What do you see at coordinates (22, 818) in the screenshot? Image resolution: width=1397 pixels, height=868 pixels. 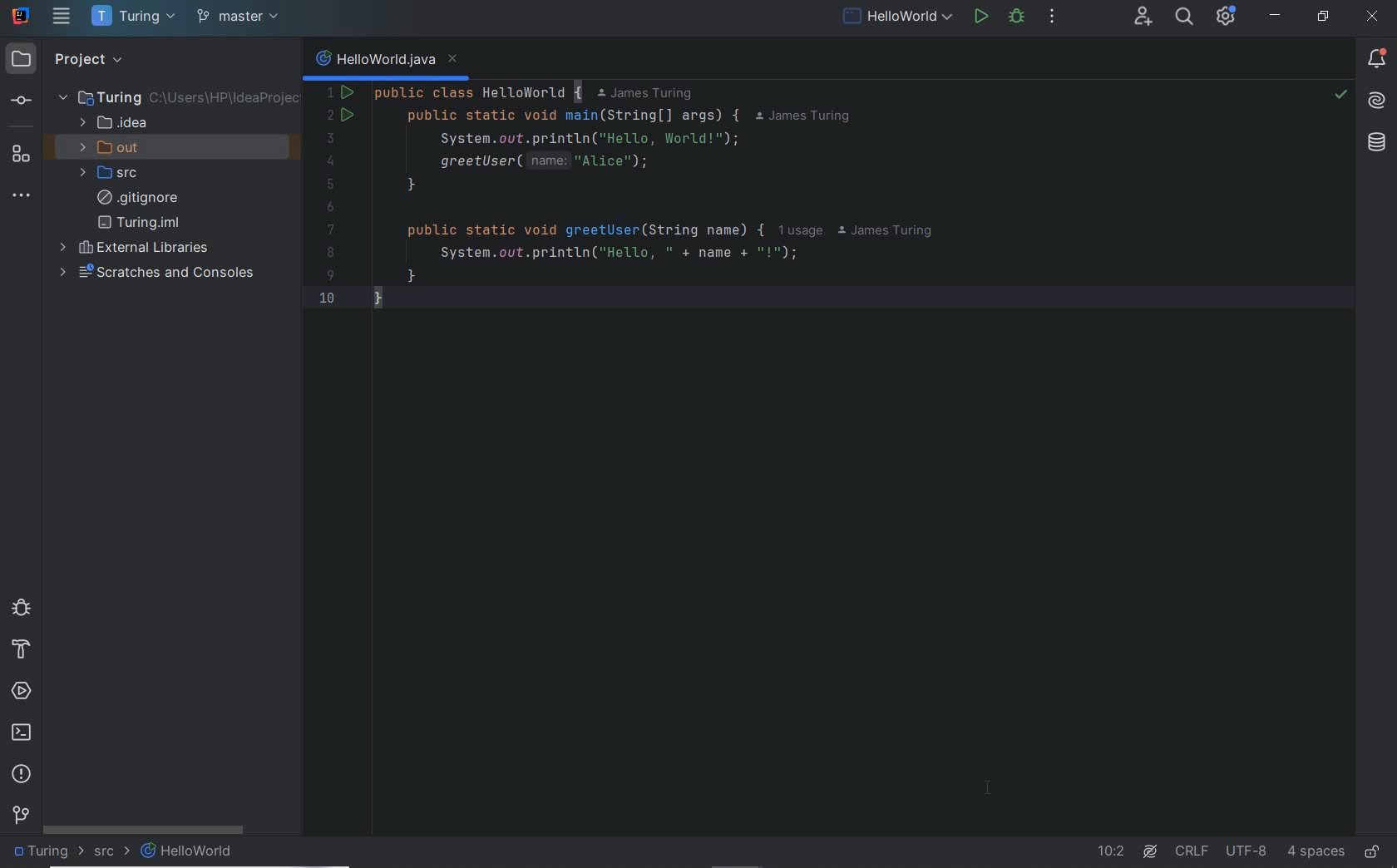 I see `Git` at bounding box center [22, 818].